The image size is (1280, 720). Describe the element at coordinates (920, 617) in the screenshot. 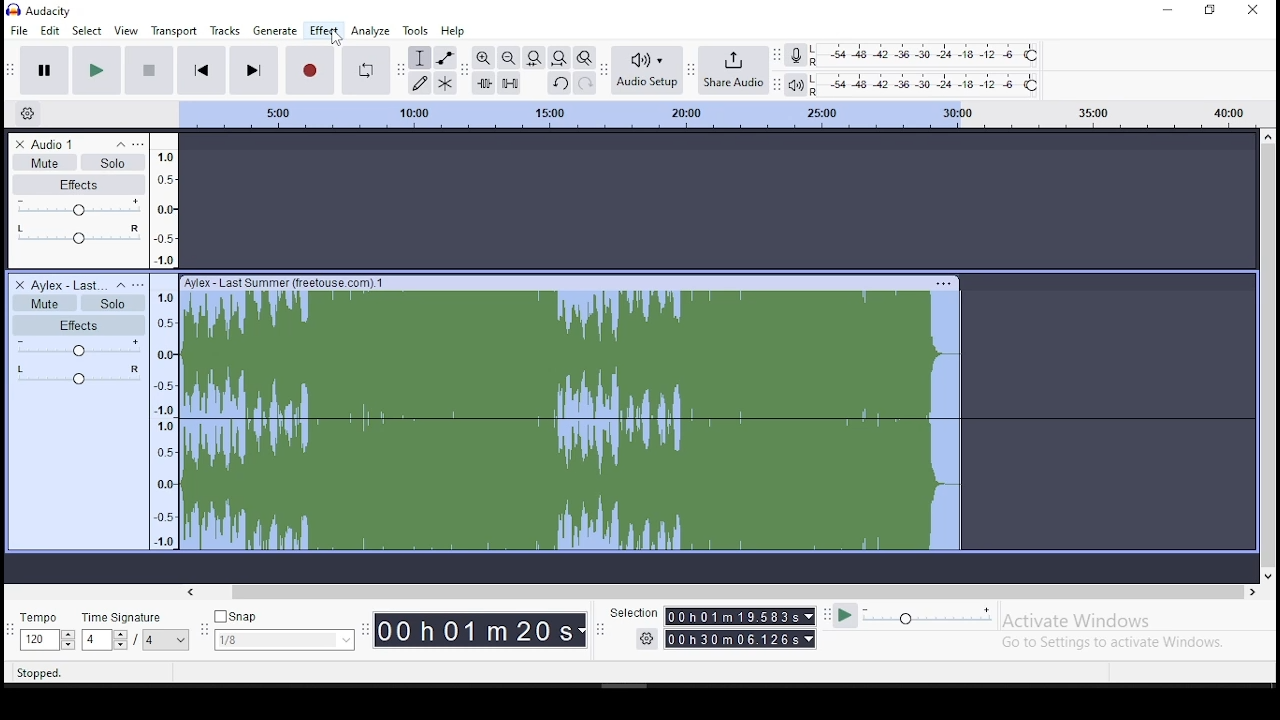

I see `playback speed` at that location.